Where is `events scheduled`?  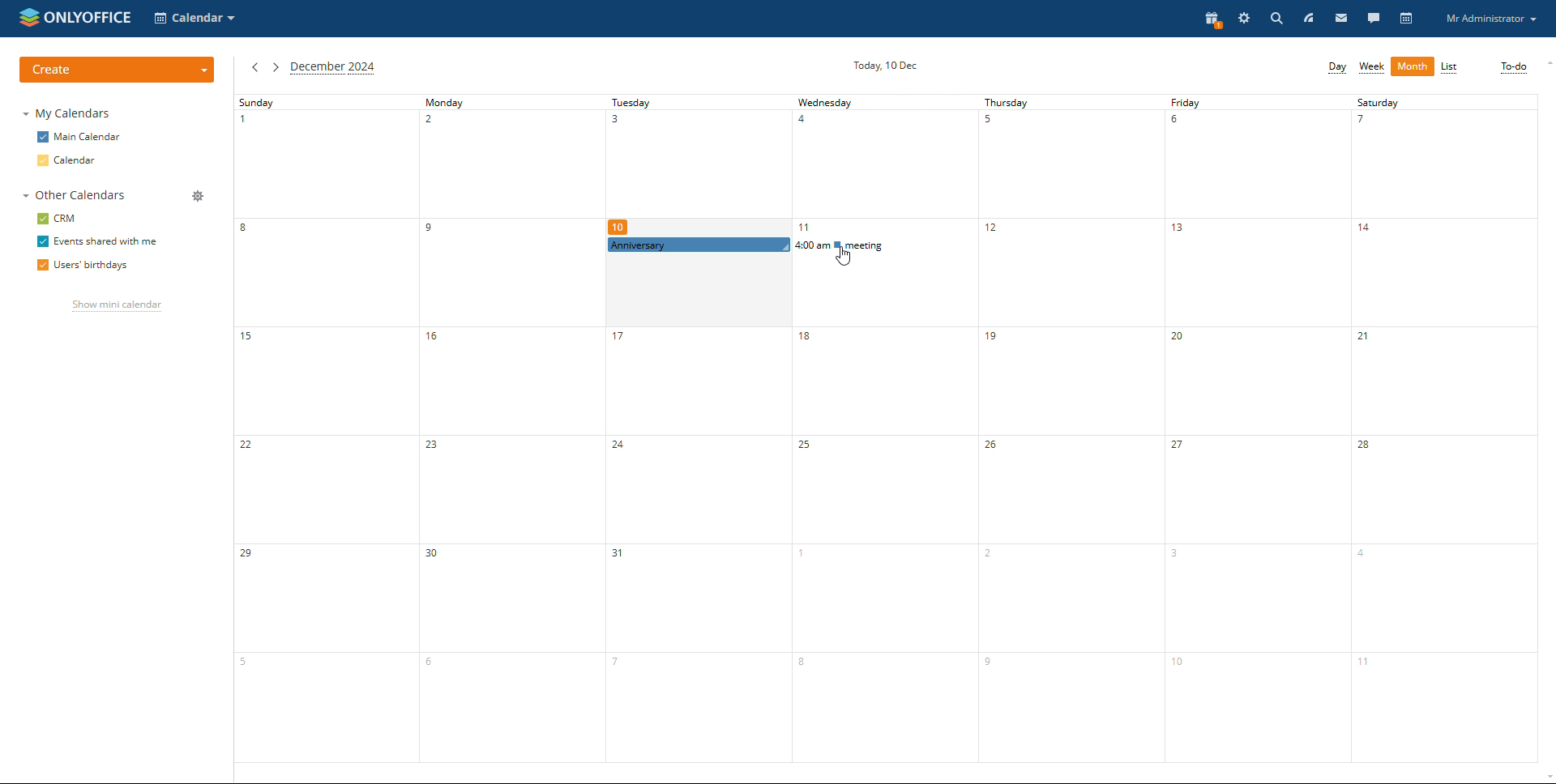 events scheduled is located at coordinates (792, 245).